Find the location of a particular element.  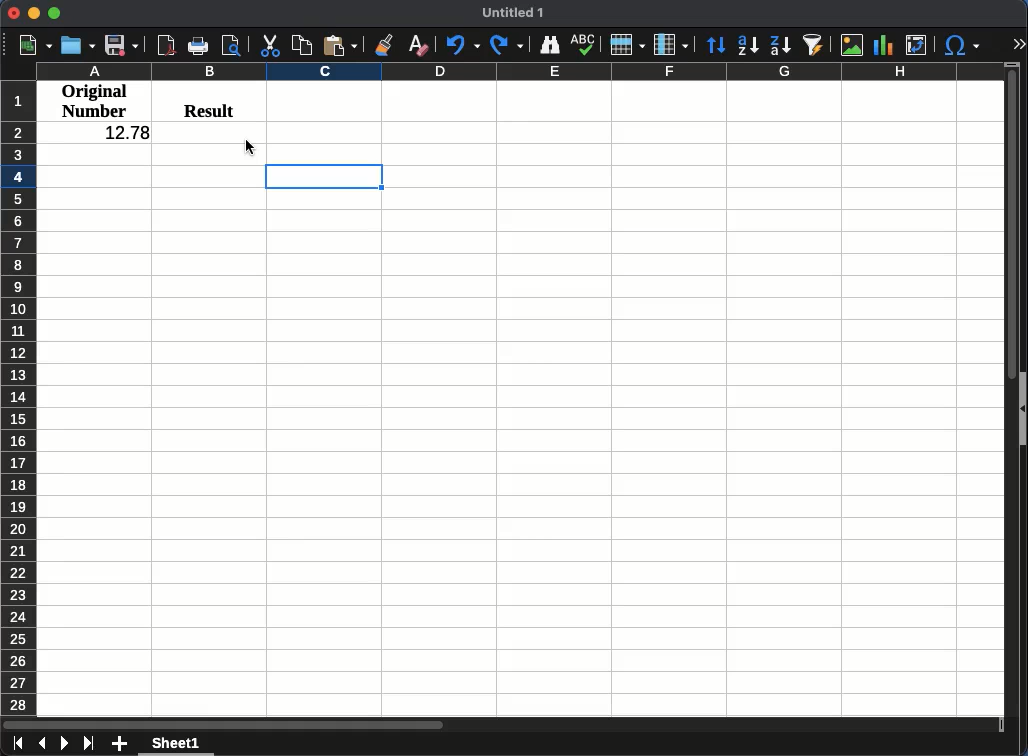

sheet 1 is located at coordinates (180, 746).